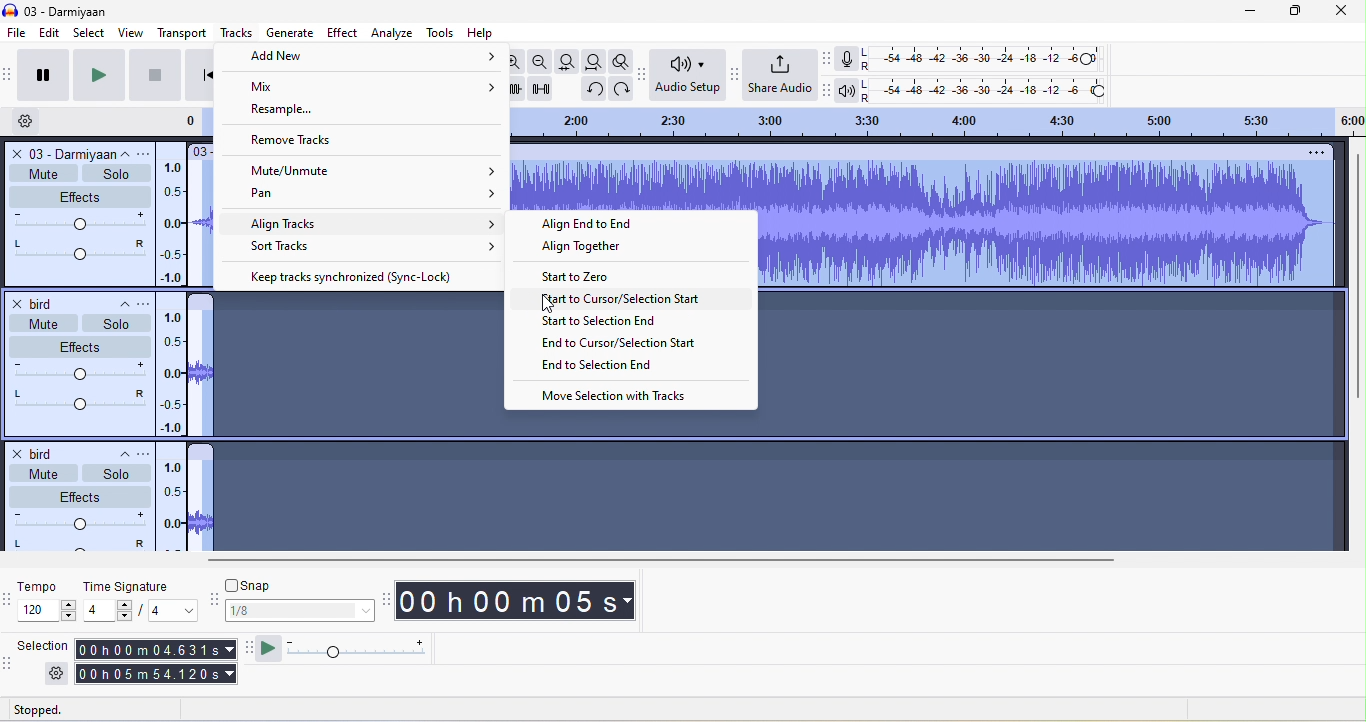 This screenshot has height=722, width=1366. I want to click on Selected track, so click(640, 187).